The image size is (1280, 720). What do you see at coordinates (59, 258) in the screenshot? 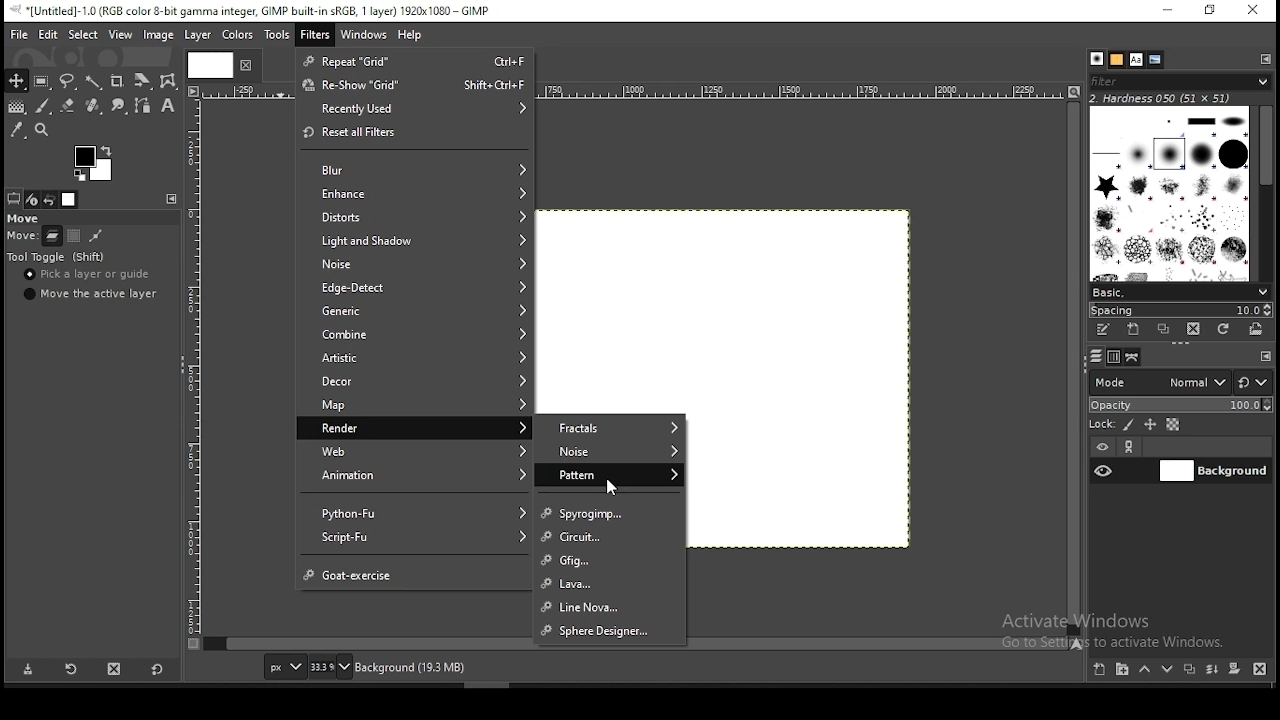
I see `tool toggle` at bounding box center [59, 258].